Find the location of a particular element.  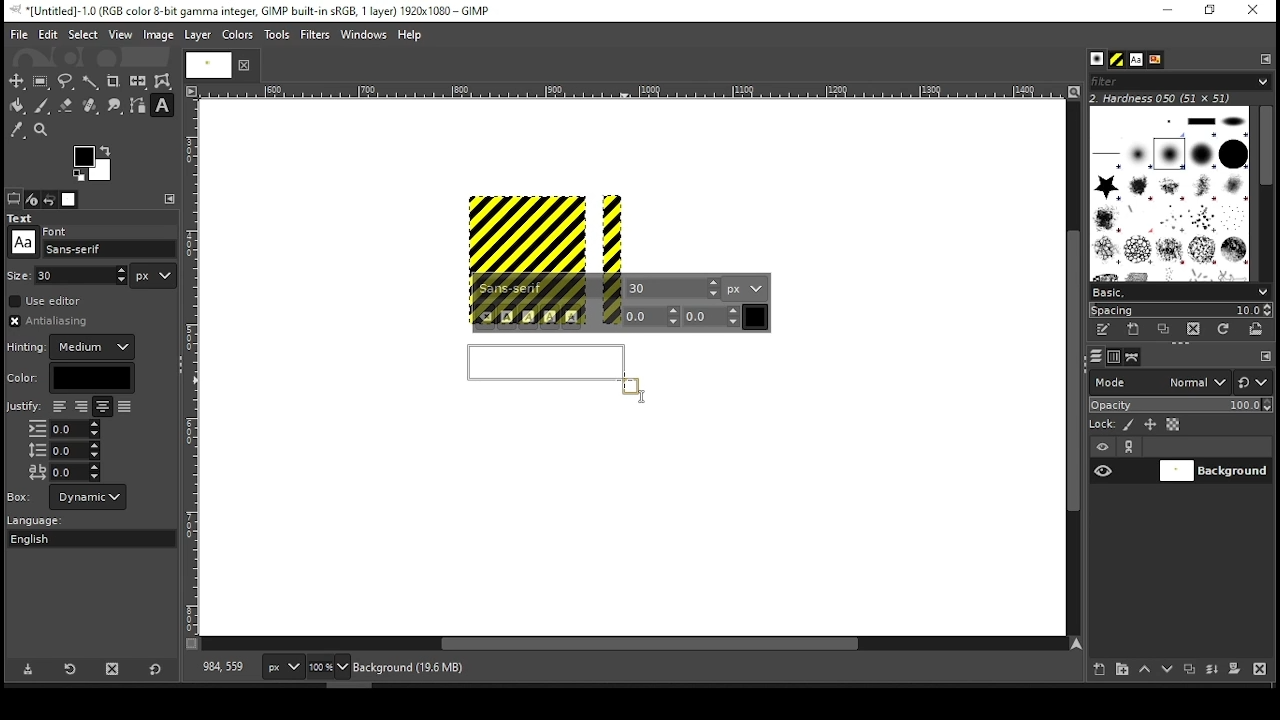

active text frame is located at coordinates (559, 372).